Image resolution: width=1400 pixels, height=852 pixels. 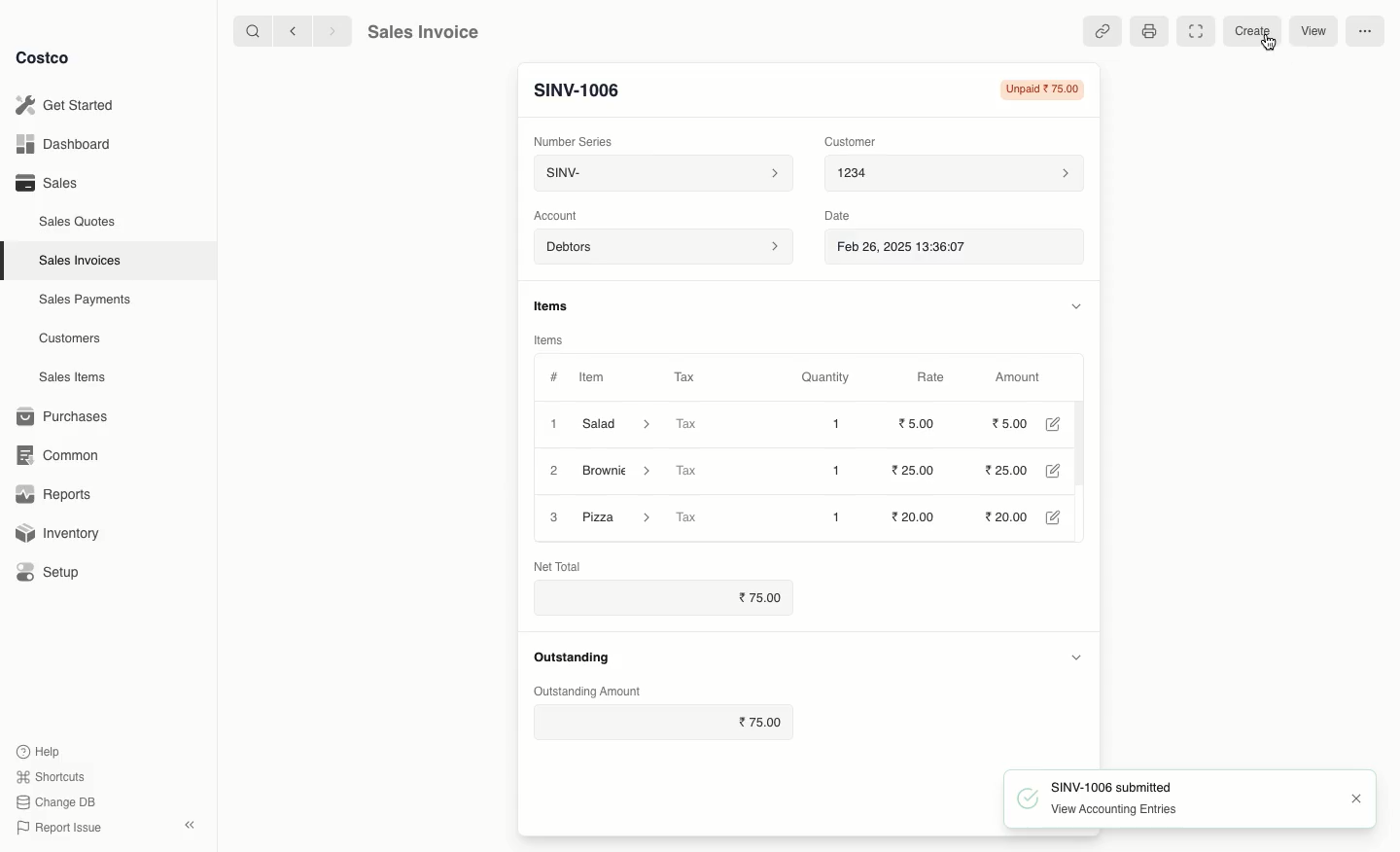 I want to click on 1234, so click(x=946, y=174).